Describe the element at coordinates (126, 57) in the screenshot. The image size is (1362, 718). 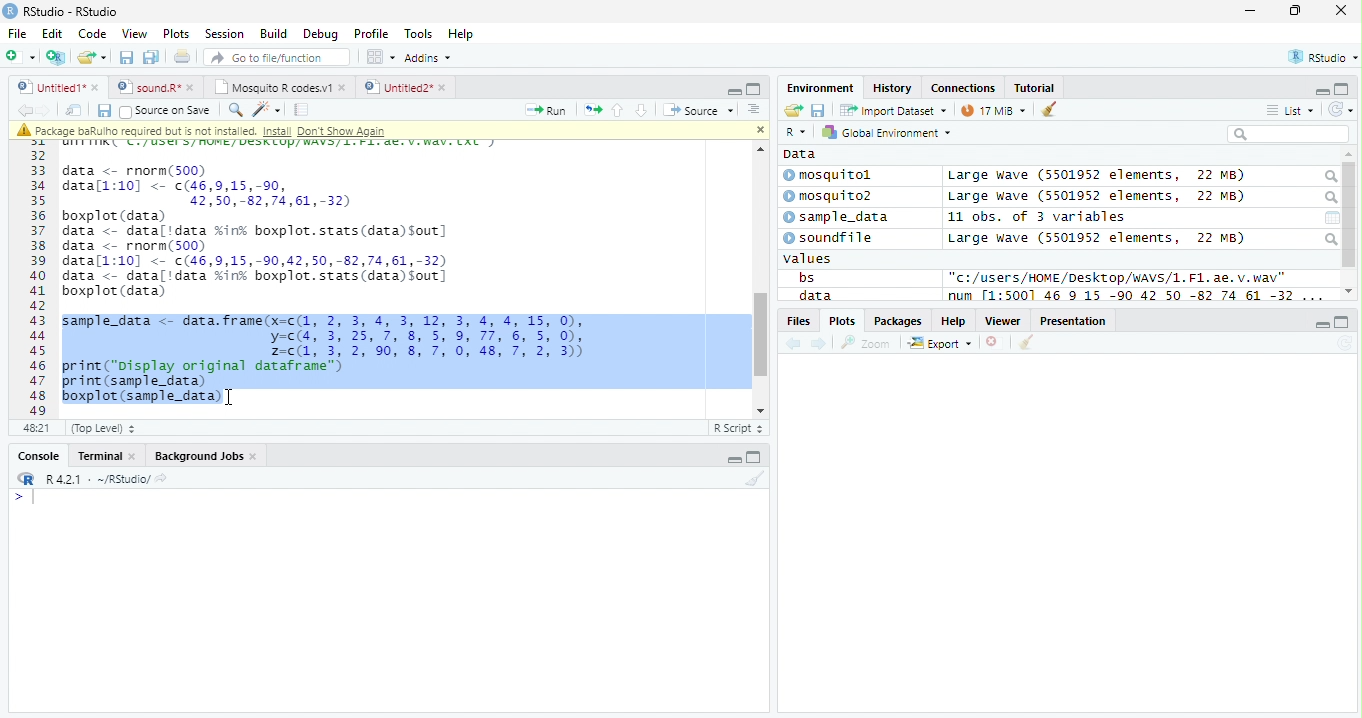
I see `Save the current document` at that location.